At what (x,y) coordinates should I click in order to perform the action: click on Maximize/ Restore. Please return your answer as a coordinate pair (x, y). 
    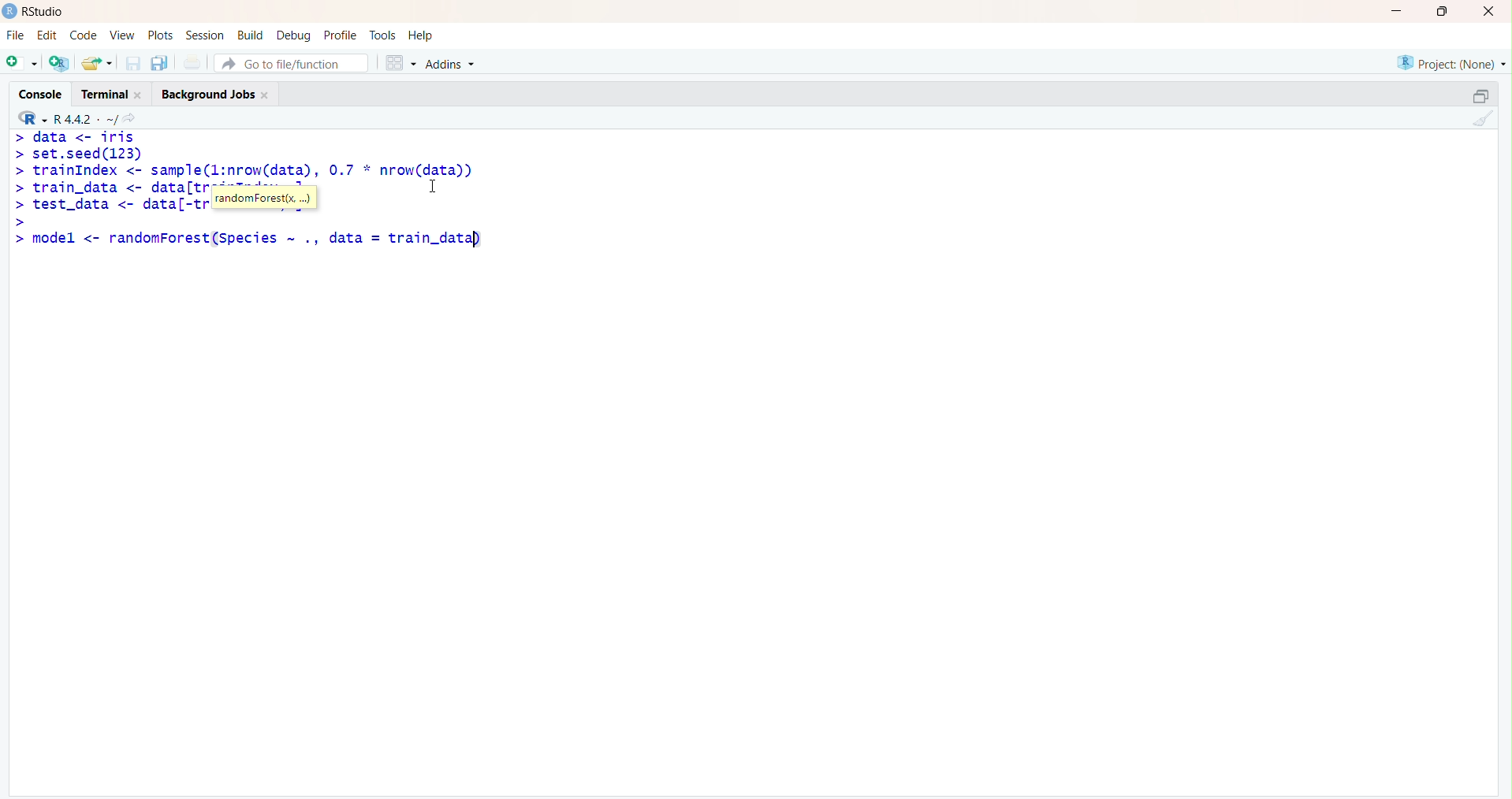
    Looking at the image, I should click on (1478, 95).